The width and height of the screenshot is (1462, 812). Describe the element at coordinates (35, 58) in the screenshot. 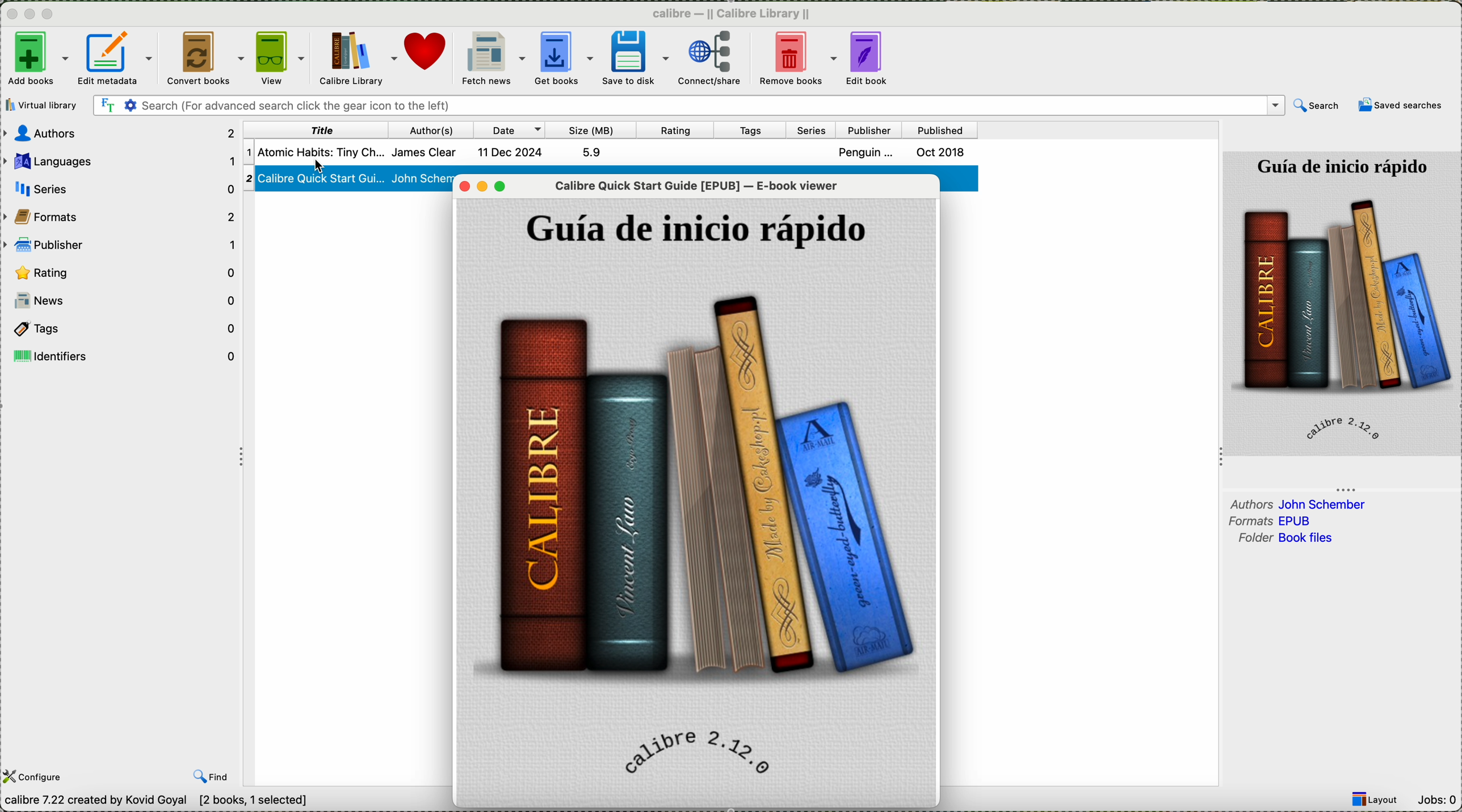

I see `add books` at that location.